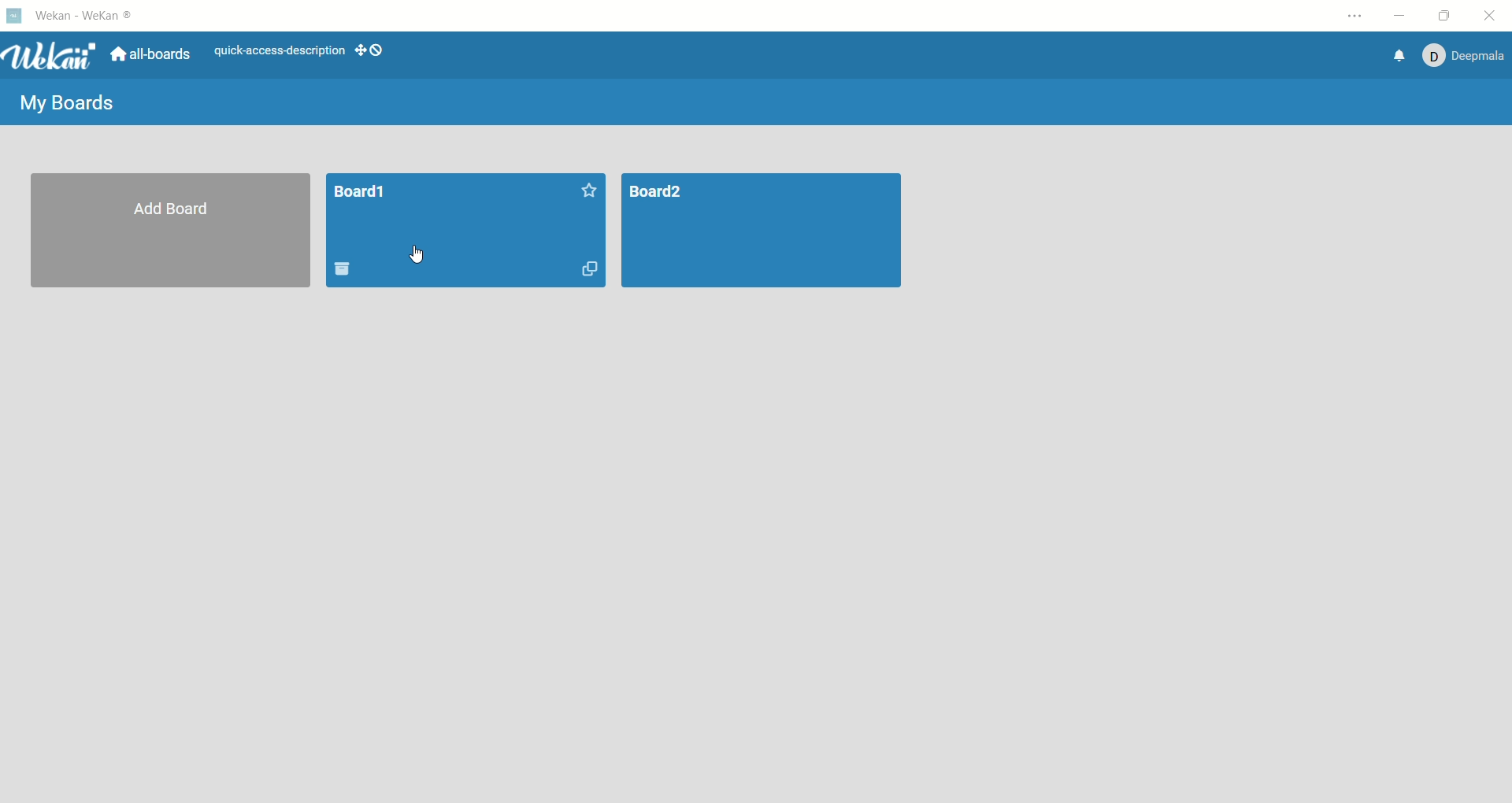  What do you see at coordinates (13, 13) in the screenshot?
I see `logo` at bounding box center [13, 13].